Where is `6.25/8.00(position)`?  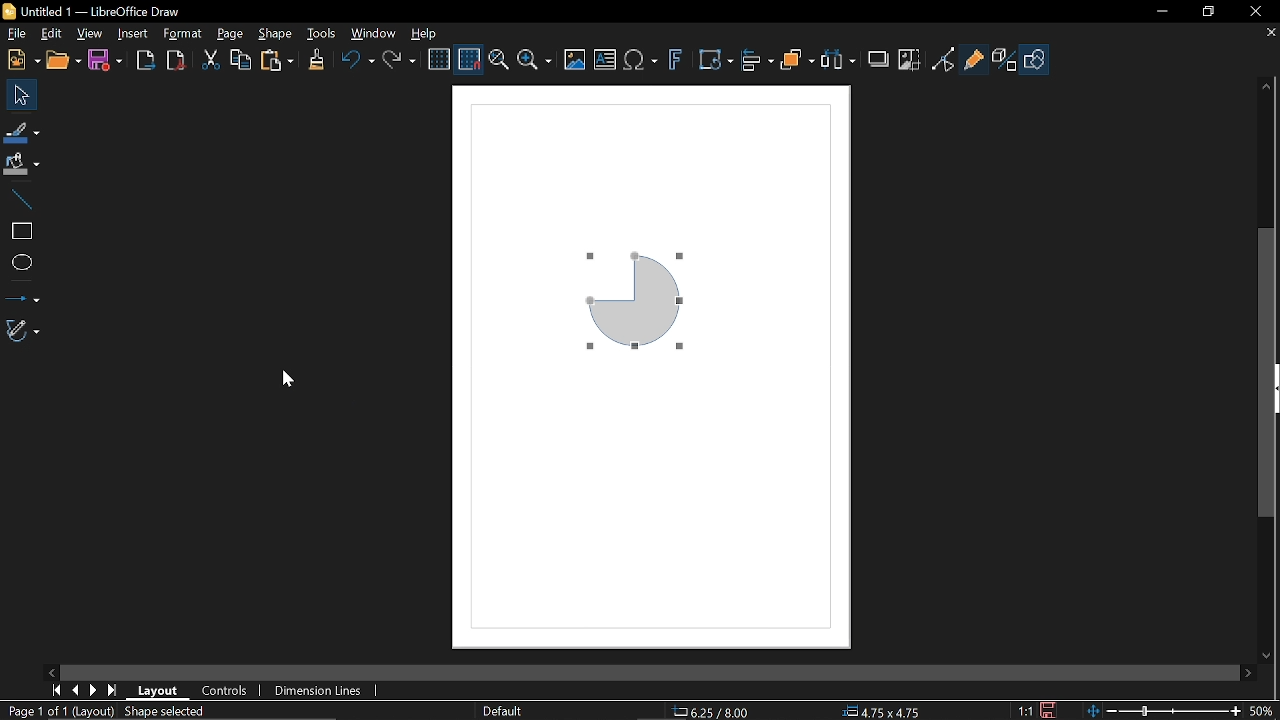
6.25/8.00(position) is located at coordinates (715, 712).